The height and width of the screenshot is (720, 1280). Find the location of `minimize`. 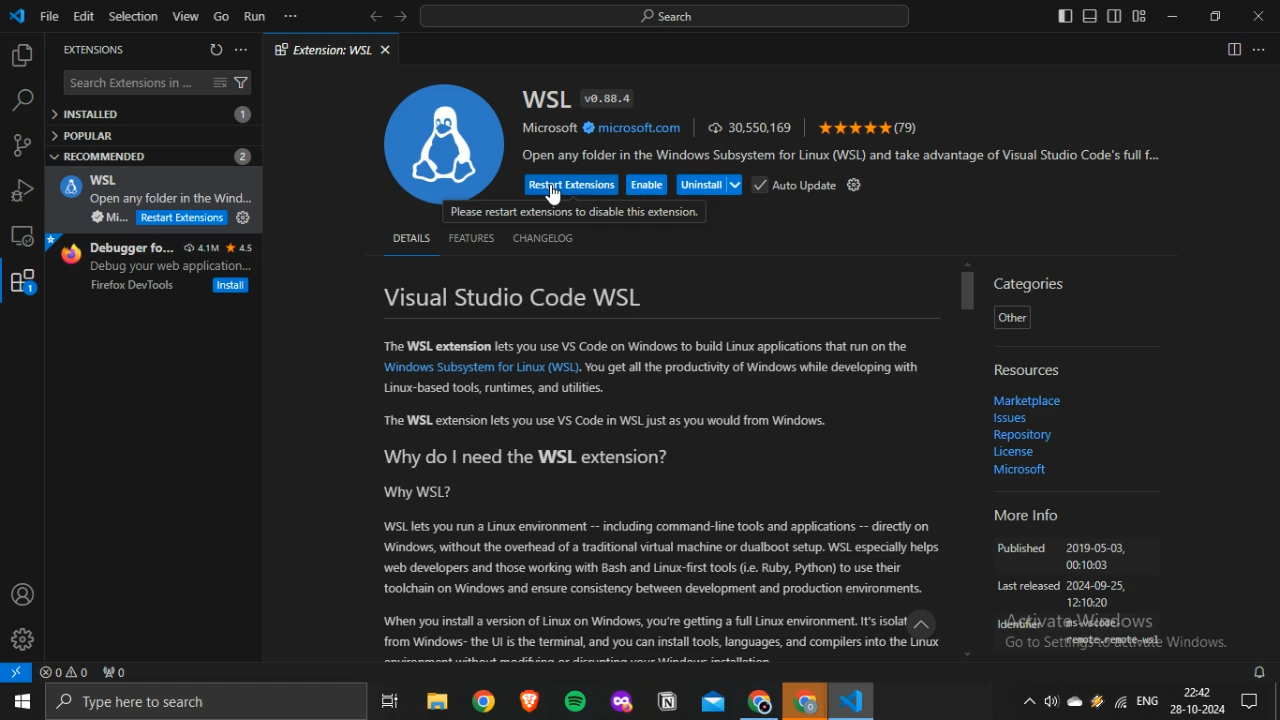

minimize is located at coordinates (1172, 16).